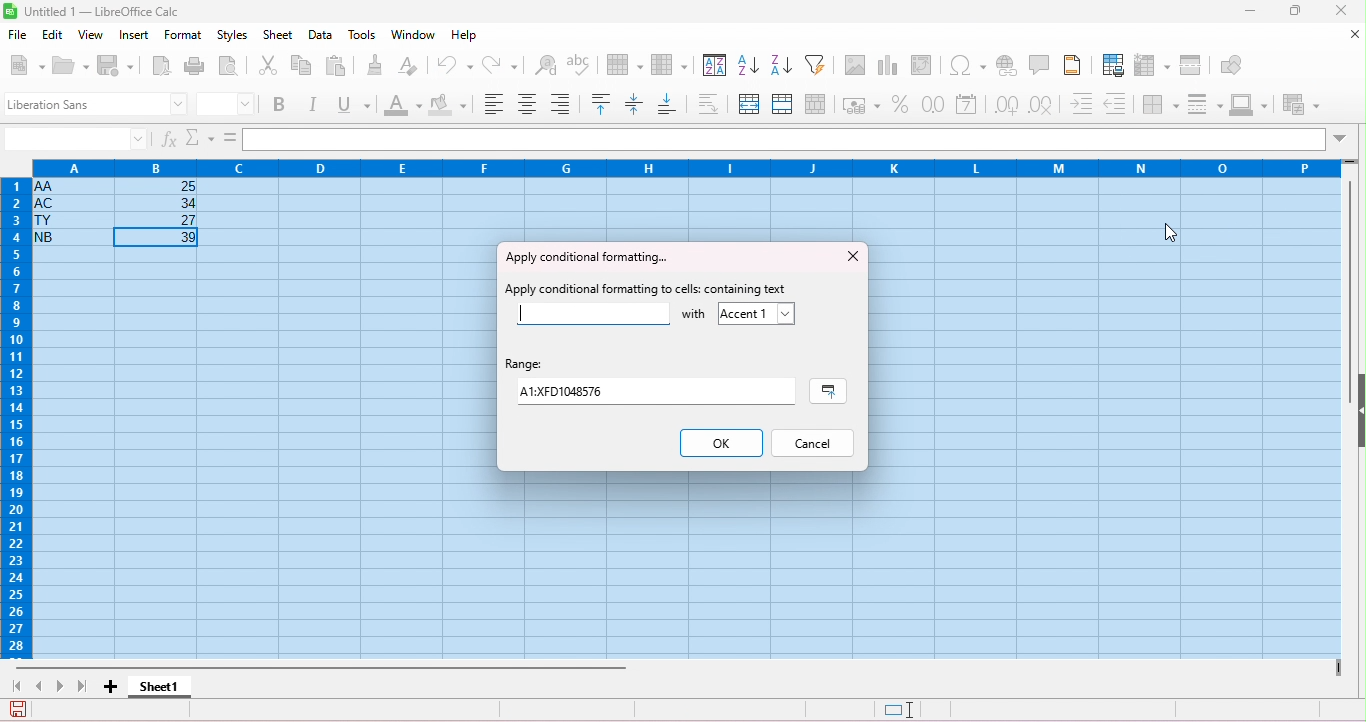 The width and height of the screenshot is (1366, 722). I want to click on accept, so click(756, 314).